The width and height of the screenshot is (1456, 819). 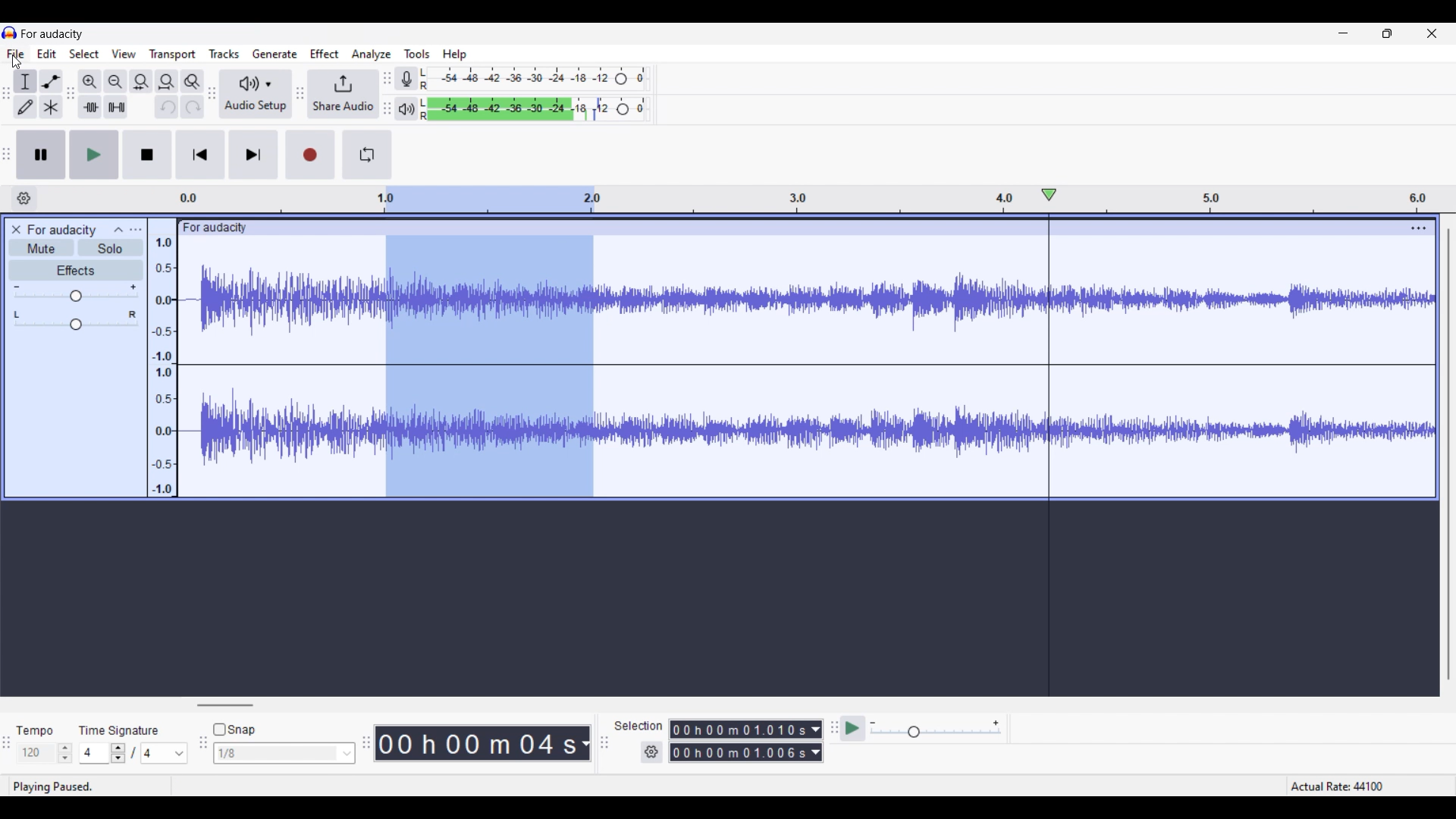 I want to click on Fit track to width, so click(x=167, y=82).